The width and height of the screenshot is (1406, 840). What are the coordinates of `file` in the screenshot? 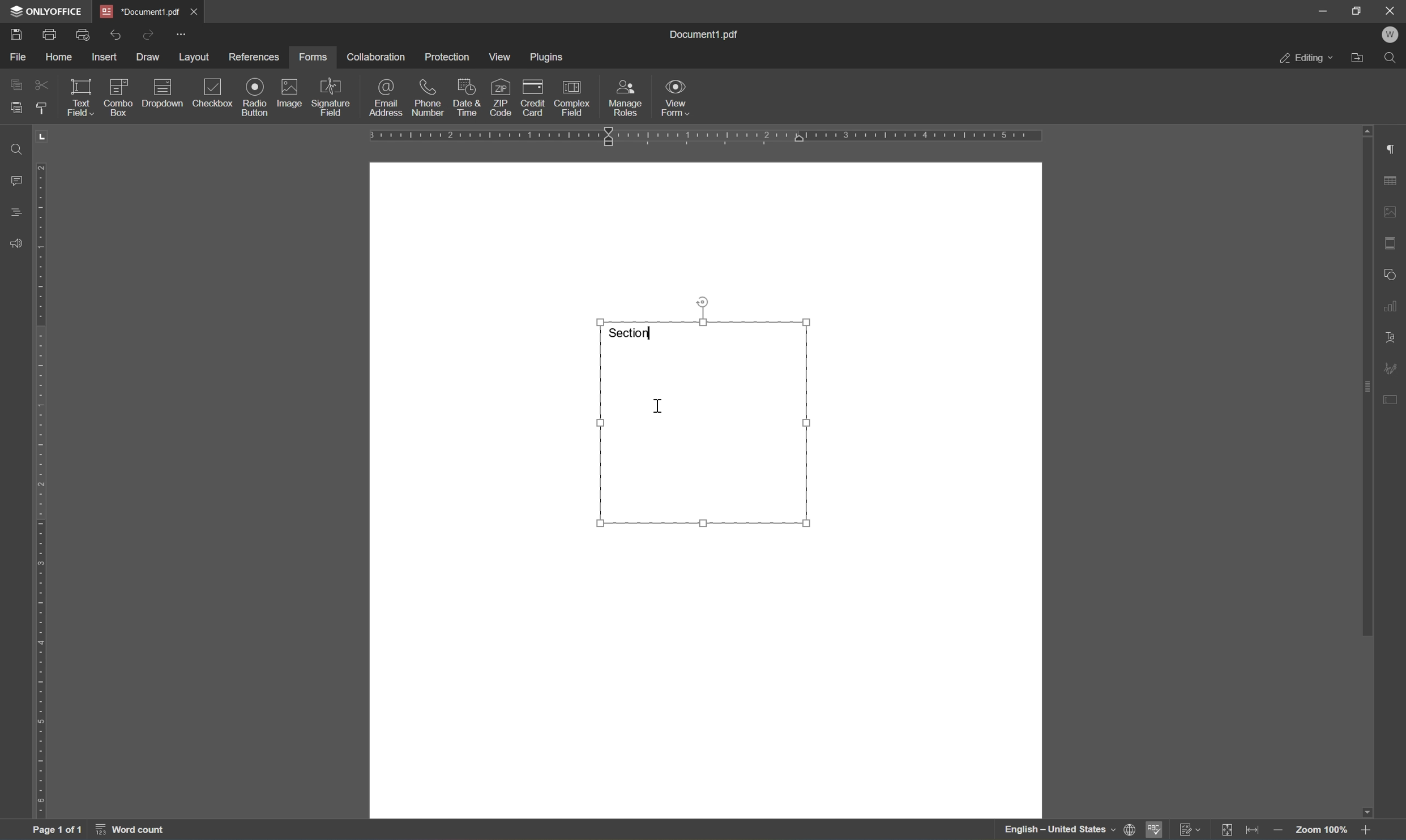 It's located at (19, 55).